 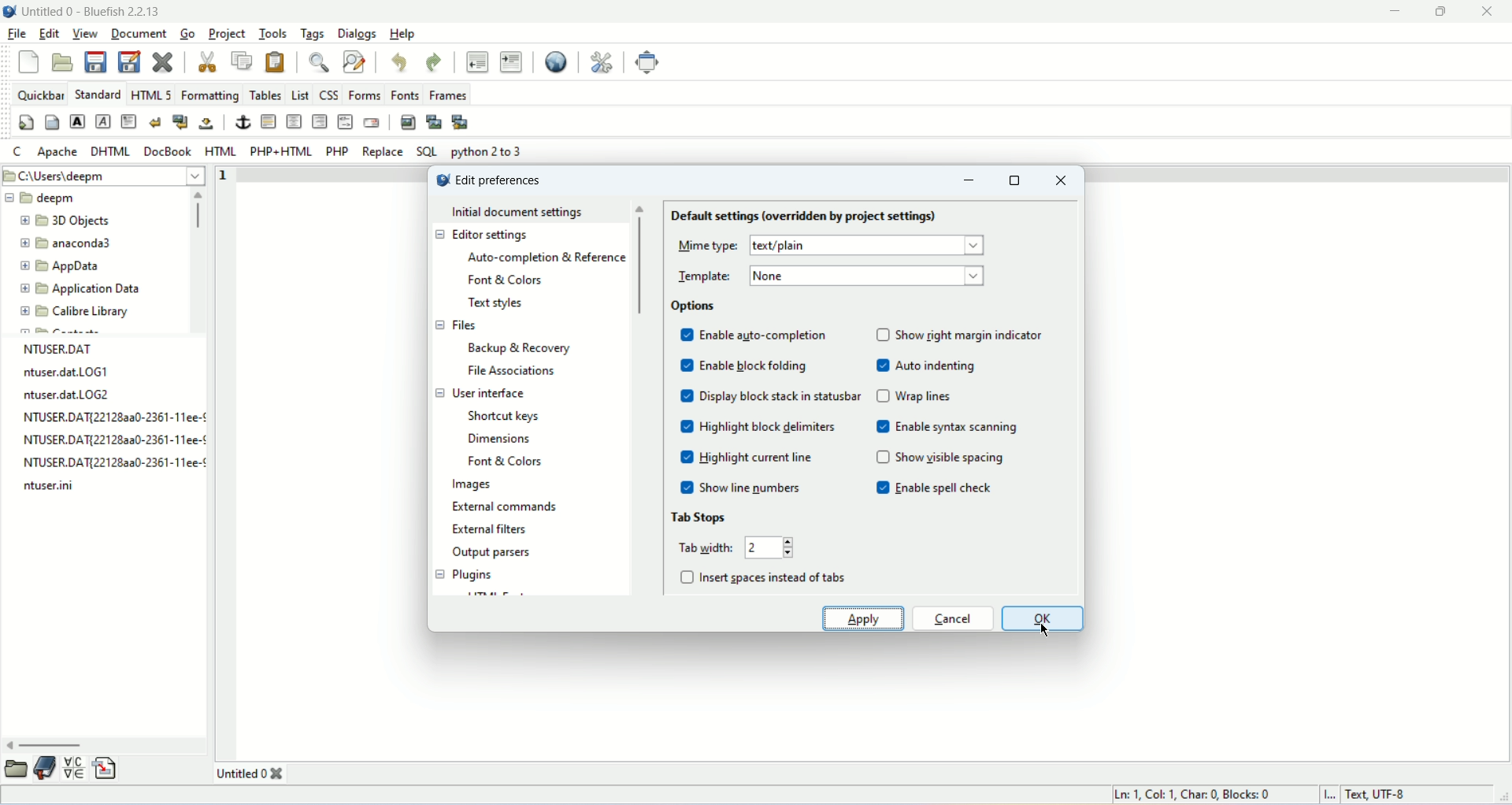 What do you see at coordinates (948, 458) in the screenshot?
I see `show visible spacing` at bounding box center [948, 458].